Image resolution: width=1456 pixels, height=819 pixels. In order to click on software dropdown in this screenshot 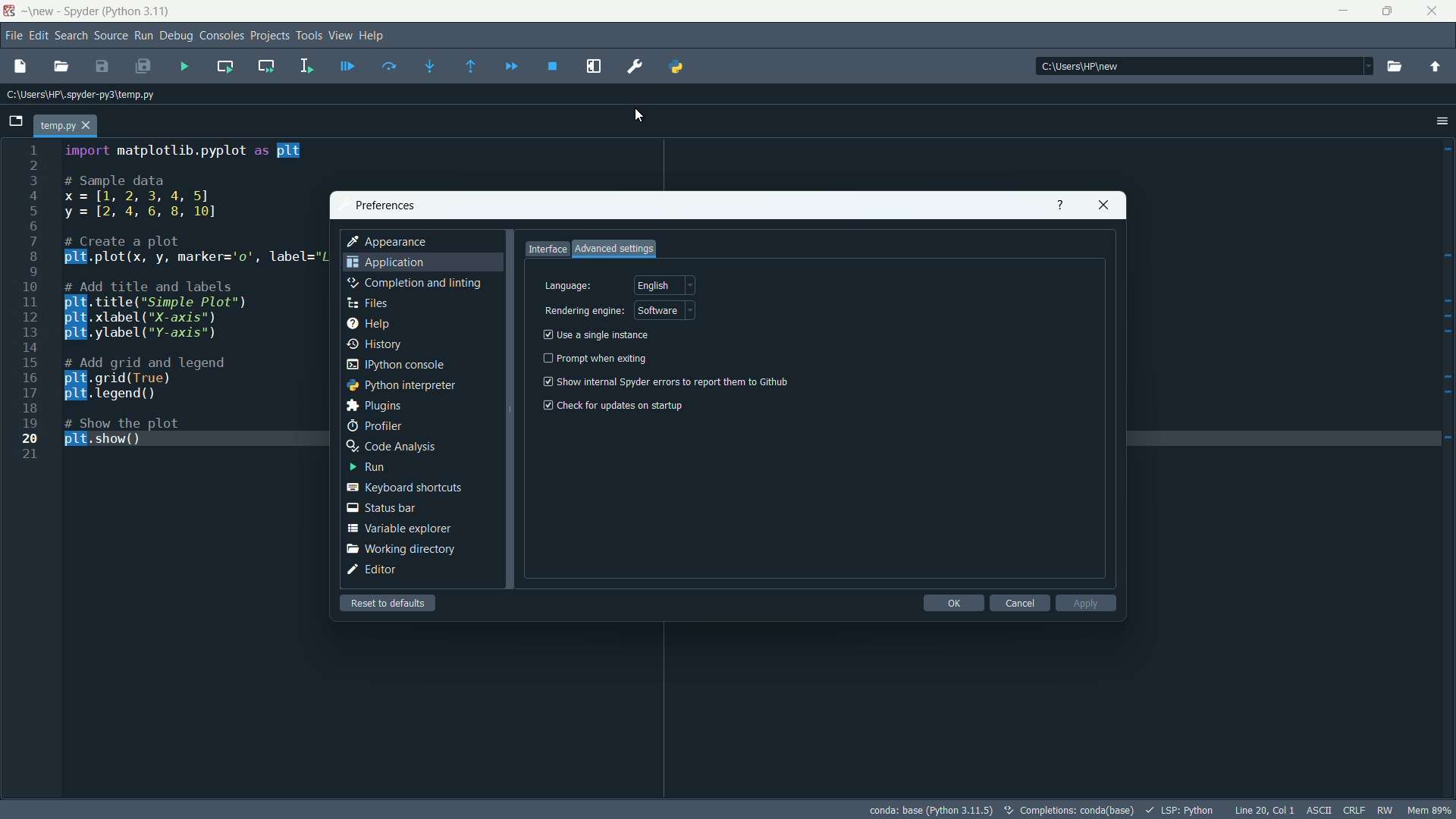, I will do `click(666, 312)`.